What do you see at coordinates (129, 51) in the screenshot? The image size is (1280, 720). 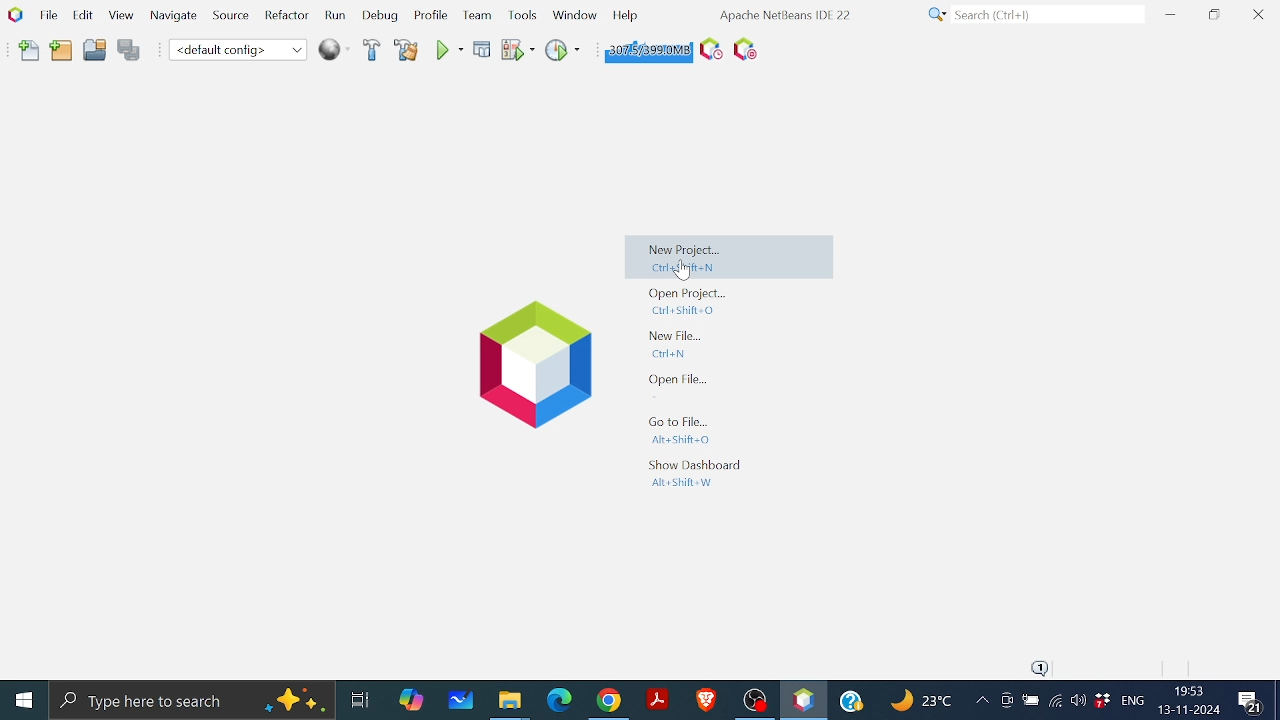 I see `Save all` at bounding box center [129, 51].